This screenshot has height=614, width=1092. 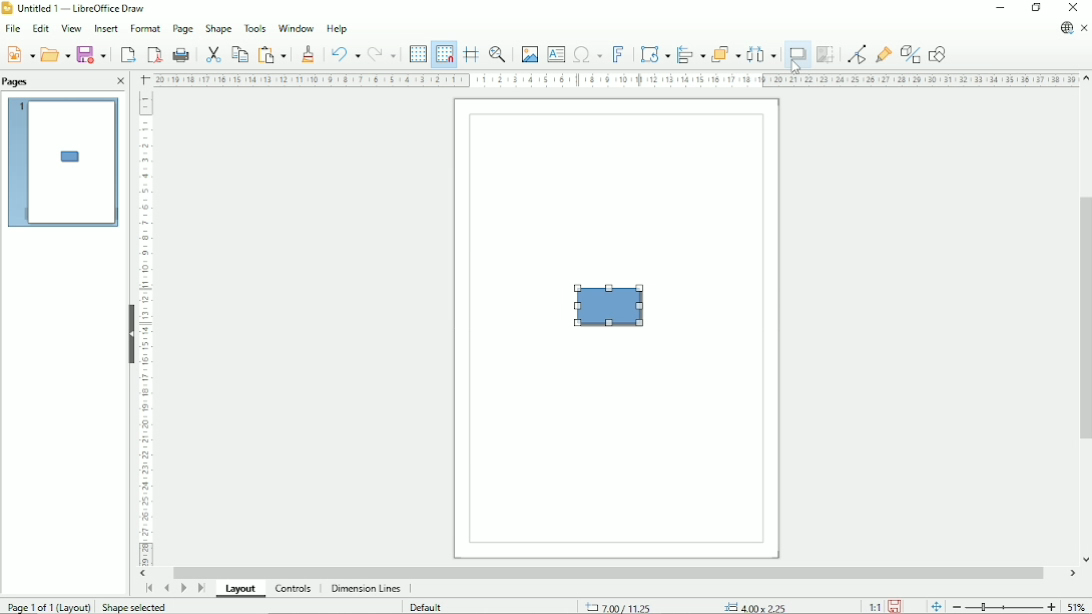 What do you see at coordinates (70, 26) in the screenshot?
I see `View` at bounding box center [70, 26].